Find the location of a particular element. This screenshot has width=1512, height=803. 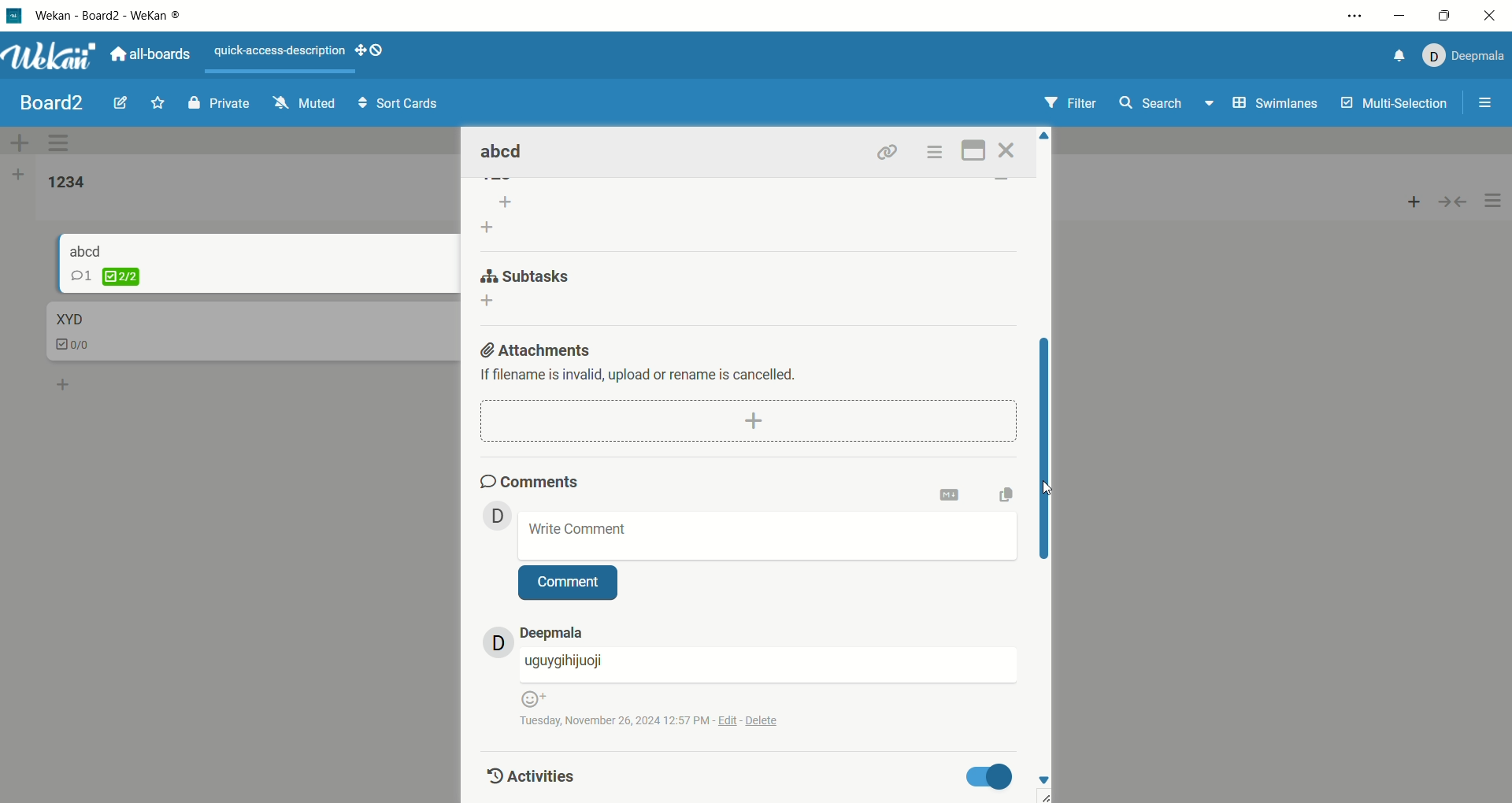

text is located at coordinates (648, 376).